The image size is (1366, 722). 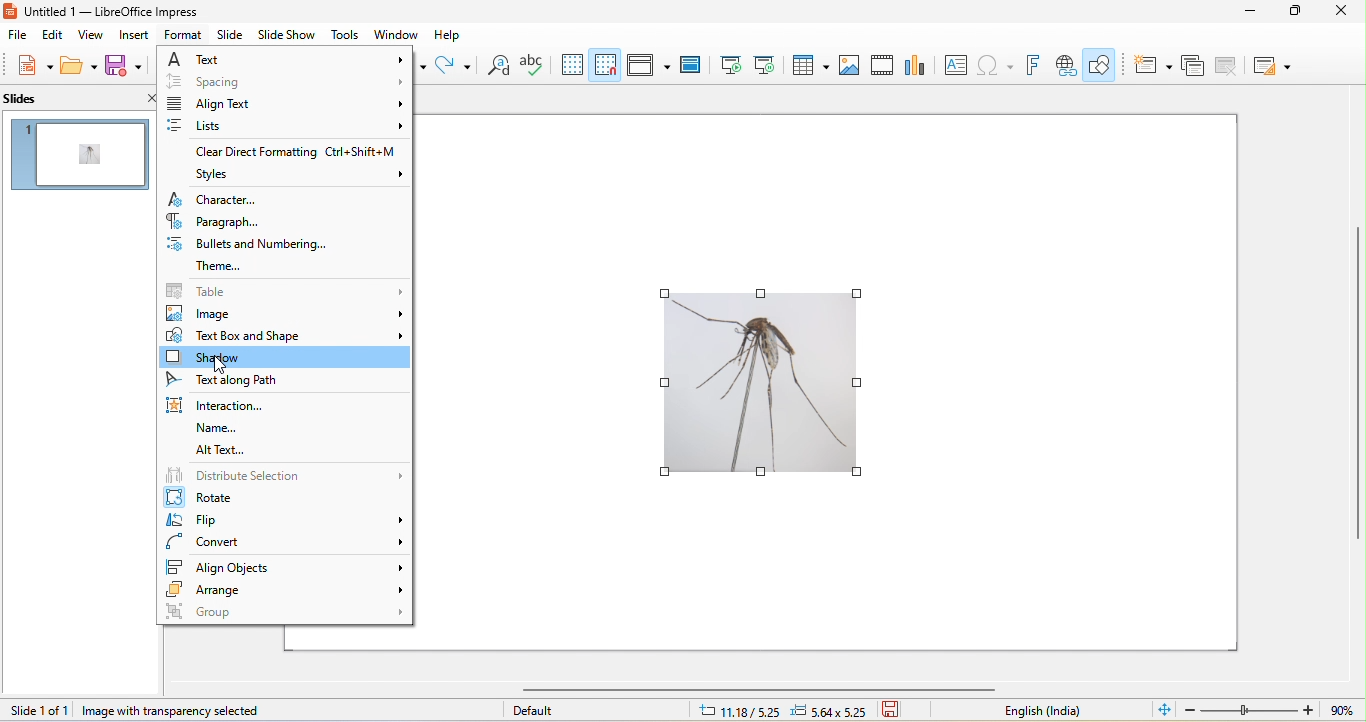 What do you see at coordinates (15, 35) in the screenshot?
I see `file` at bounding box center [15, 35].